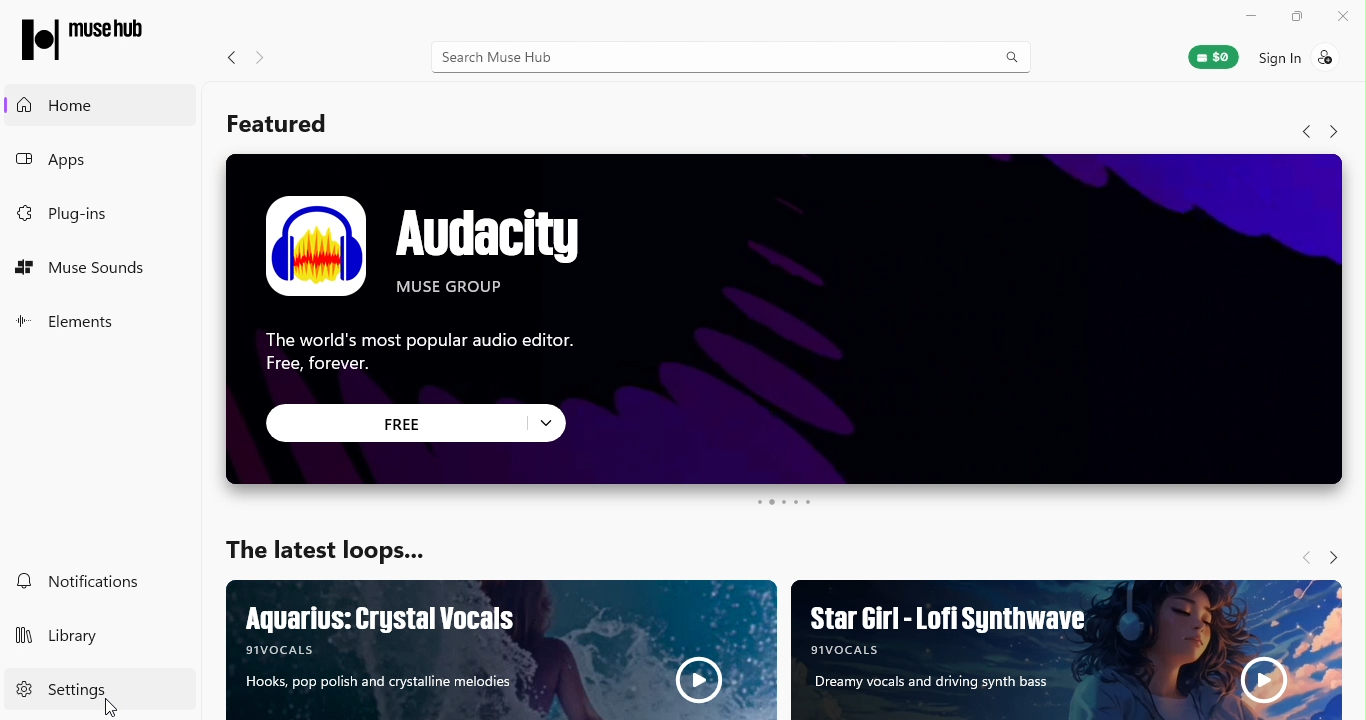  What do you see at coordinates (280, 125) in the screenshot?
I see `Featured` at bounding box center [280, 125].